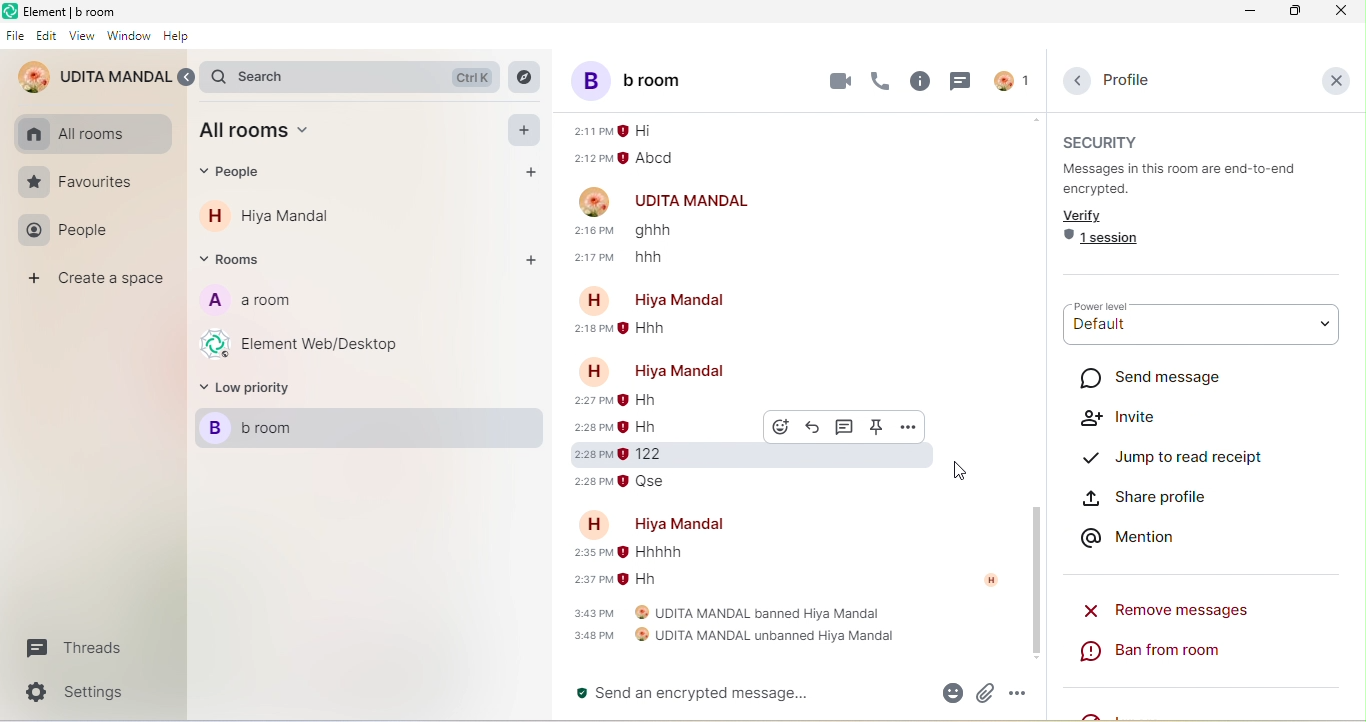 The height and width of the screenshot is (722, 1366). What do you see at coordinates (660, 369) in the screenshot?
I see `account name- hiya mandal` at bounding box center [660, 369].